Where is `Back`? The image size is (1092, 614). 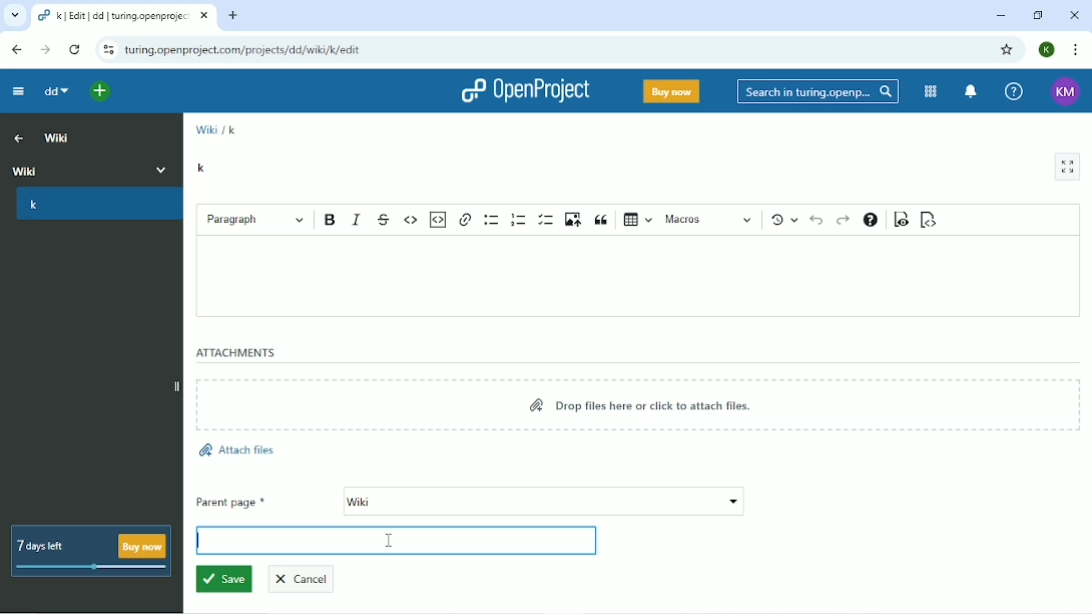 Back is located at coordinates (15, 48).